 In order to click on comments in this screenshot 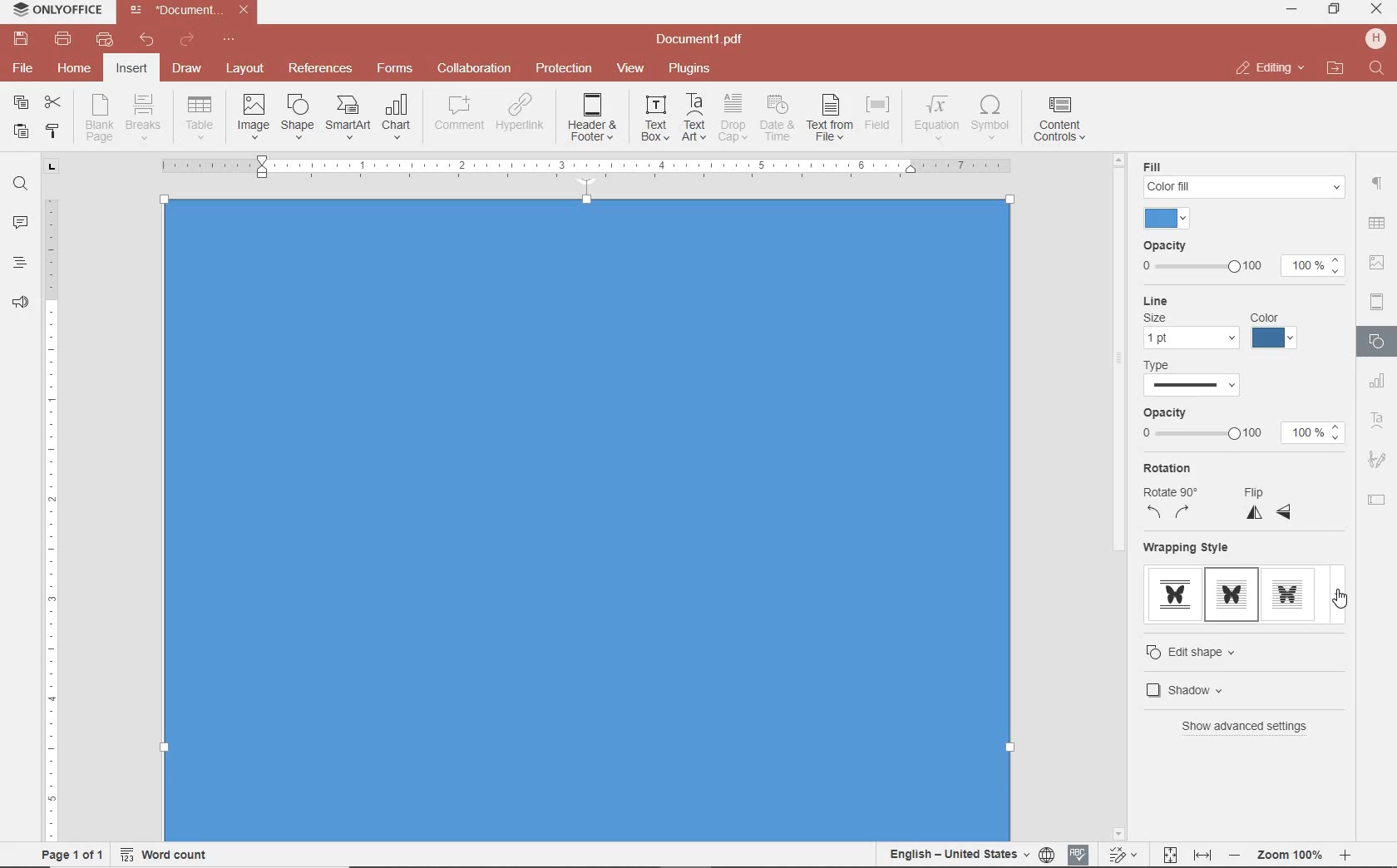, I will do `click(20, 224)`.